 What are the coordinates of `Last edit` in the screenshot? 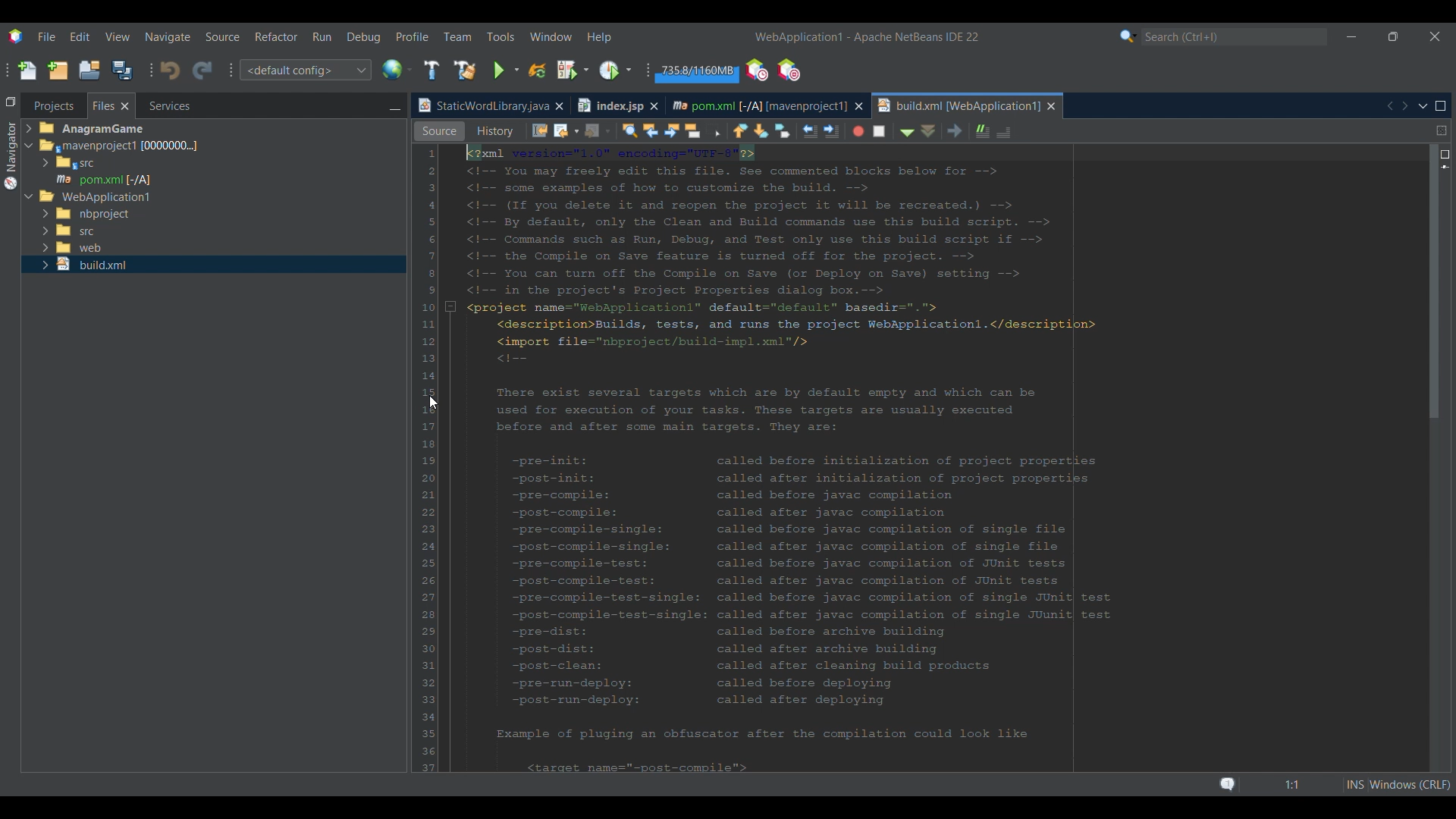 It's located at (676, 130).